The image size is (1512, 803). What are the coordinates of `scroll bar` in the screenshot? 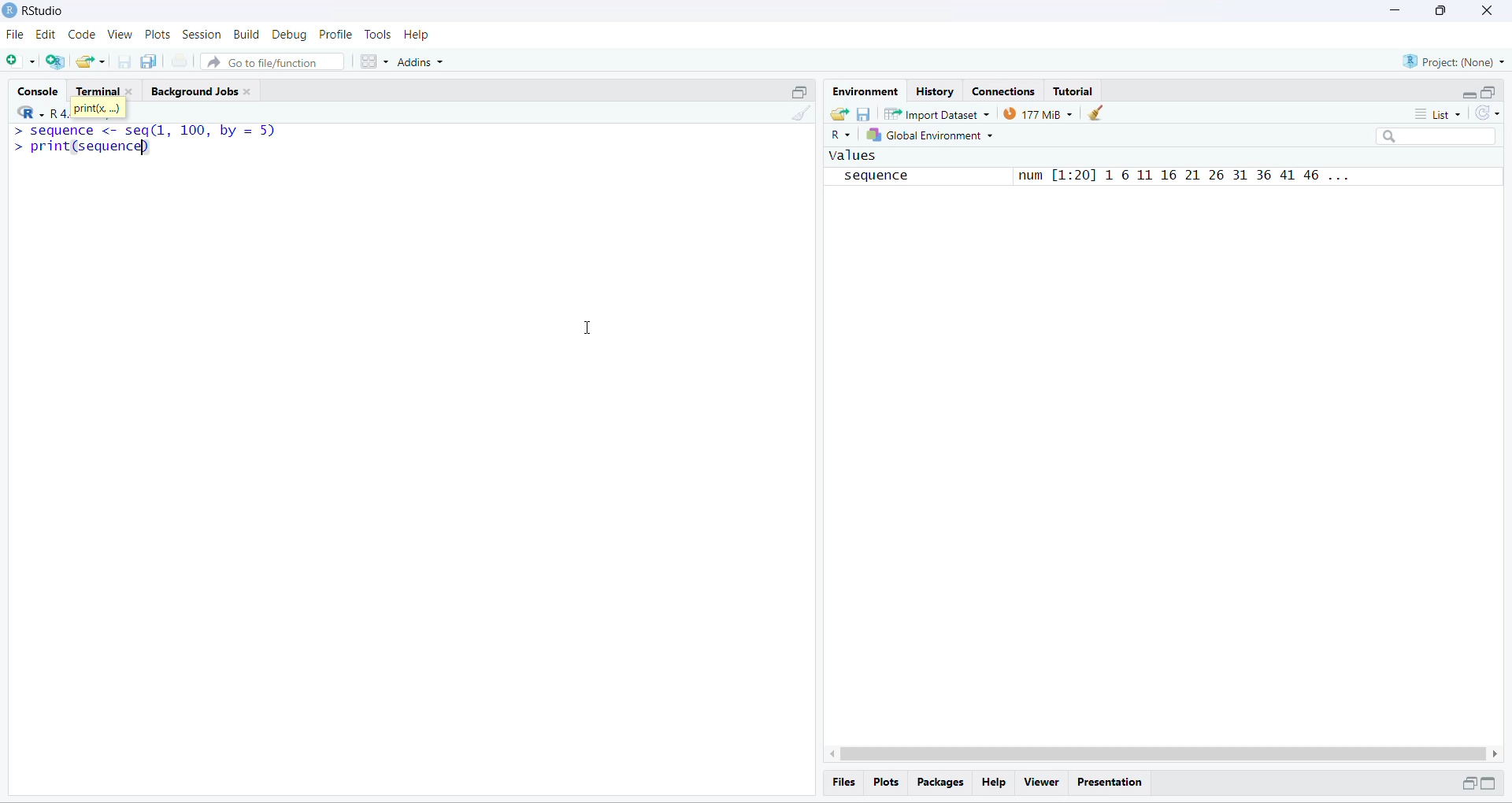 It's located at (1162, 753).